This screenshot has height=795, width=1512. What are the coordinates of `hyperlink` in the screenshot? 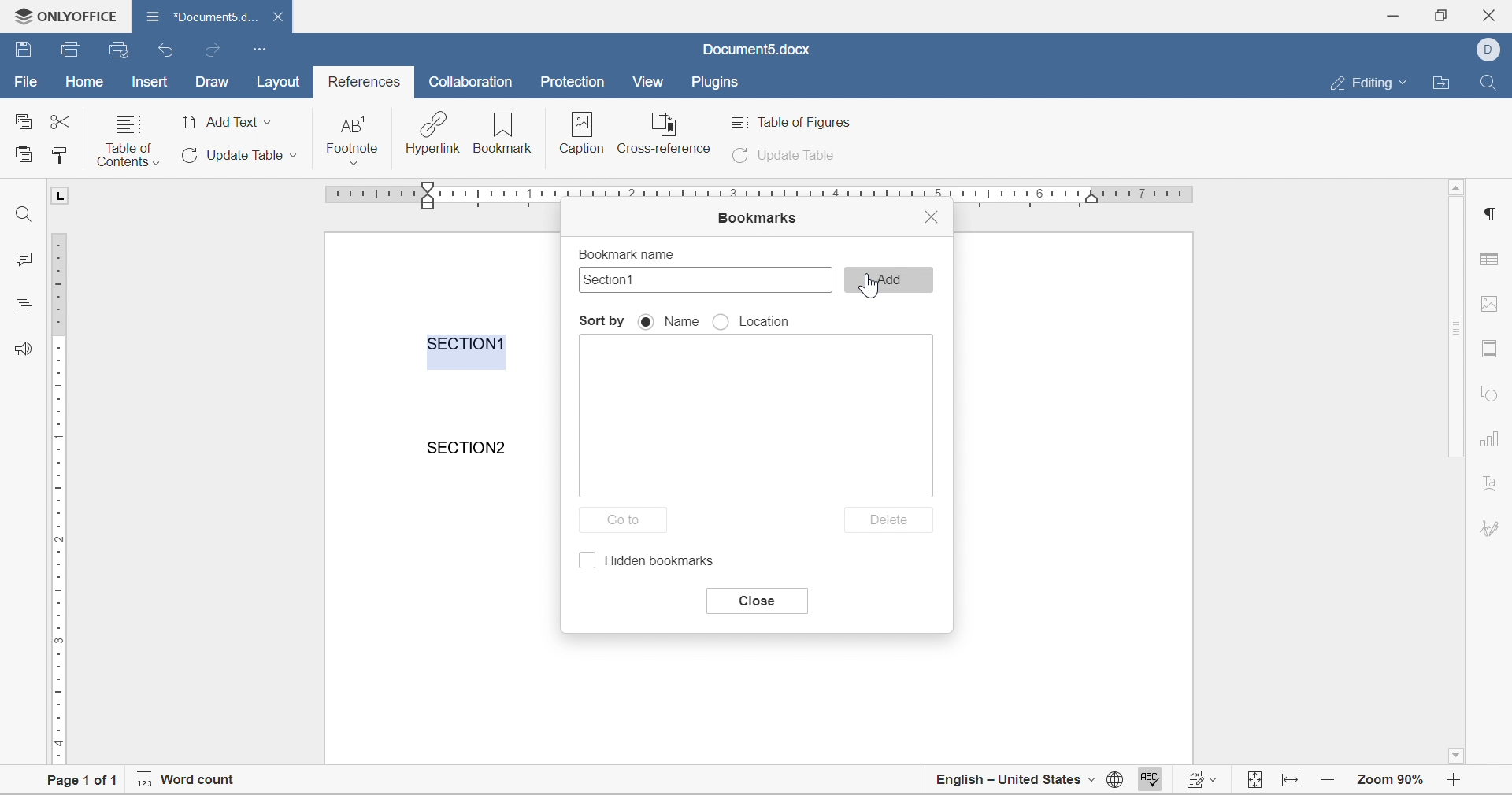 It's located at (432, 133).